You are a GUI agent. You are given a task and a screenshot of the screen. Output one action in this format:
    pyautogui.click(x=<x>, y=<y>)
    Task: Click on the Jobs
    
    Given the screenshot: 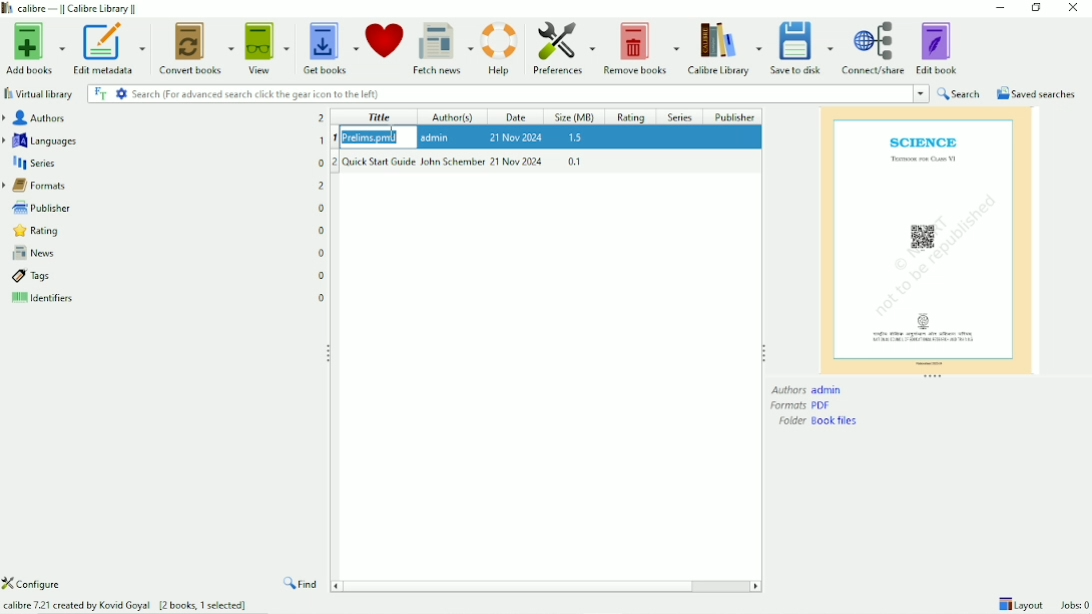 What is the action you would take?
    pyautogui.click(x=1075, y=605)
    